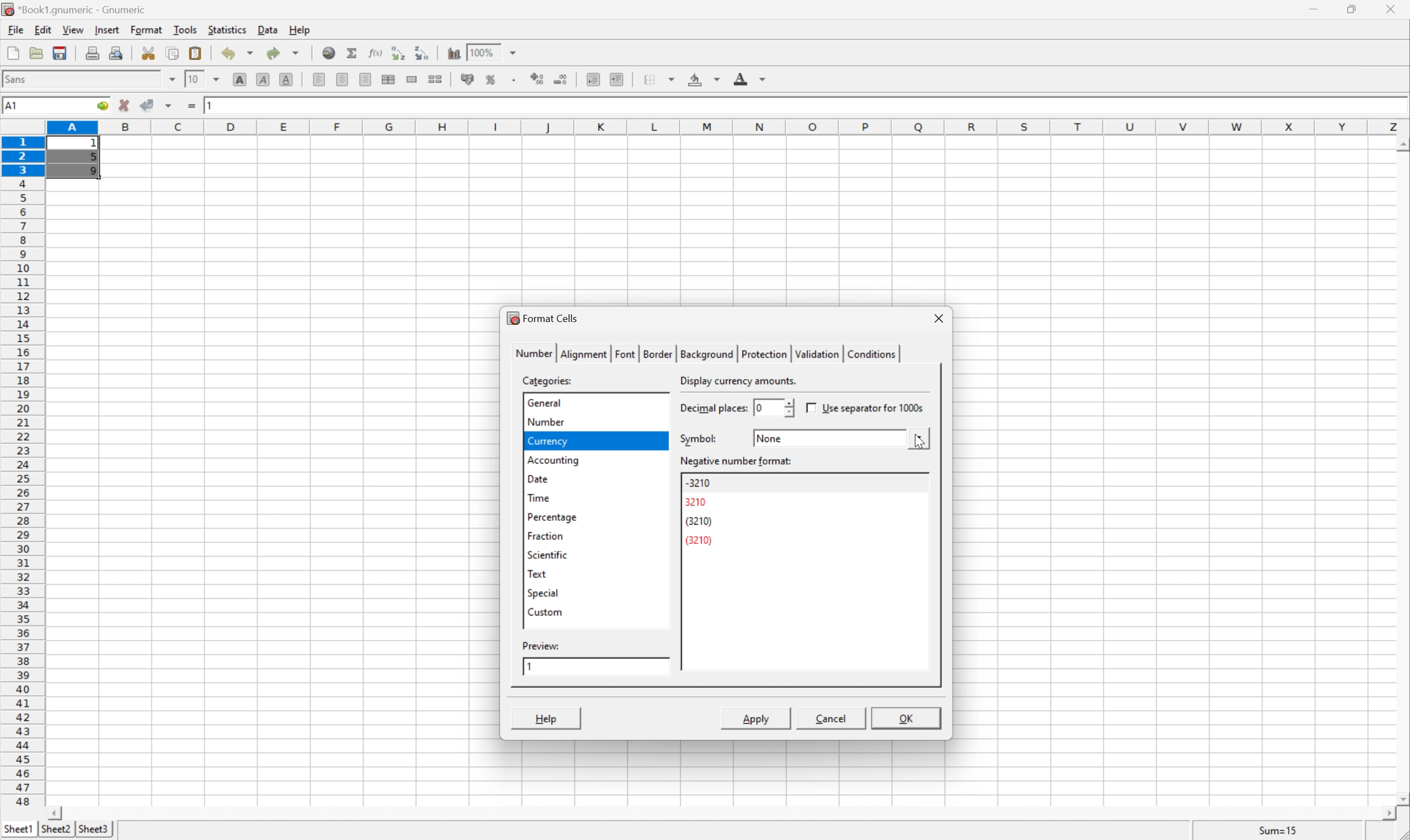 Image resolution: width=1410 pixels, height=840 pixels. What do you see at coordinates (453, 52) in the screenshot?
I see `insert chart` at bounding box center [453, 52].